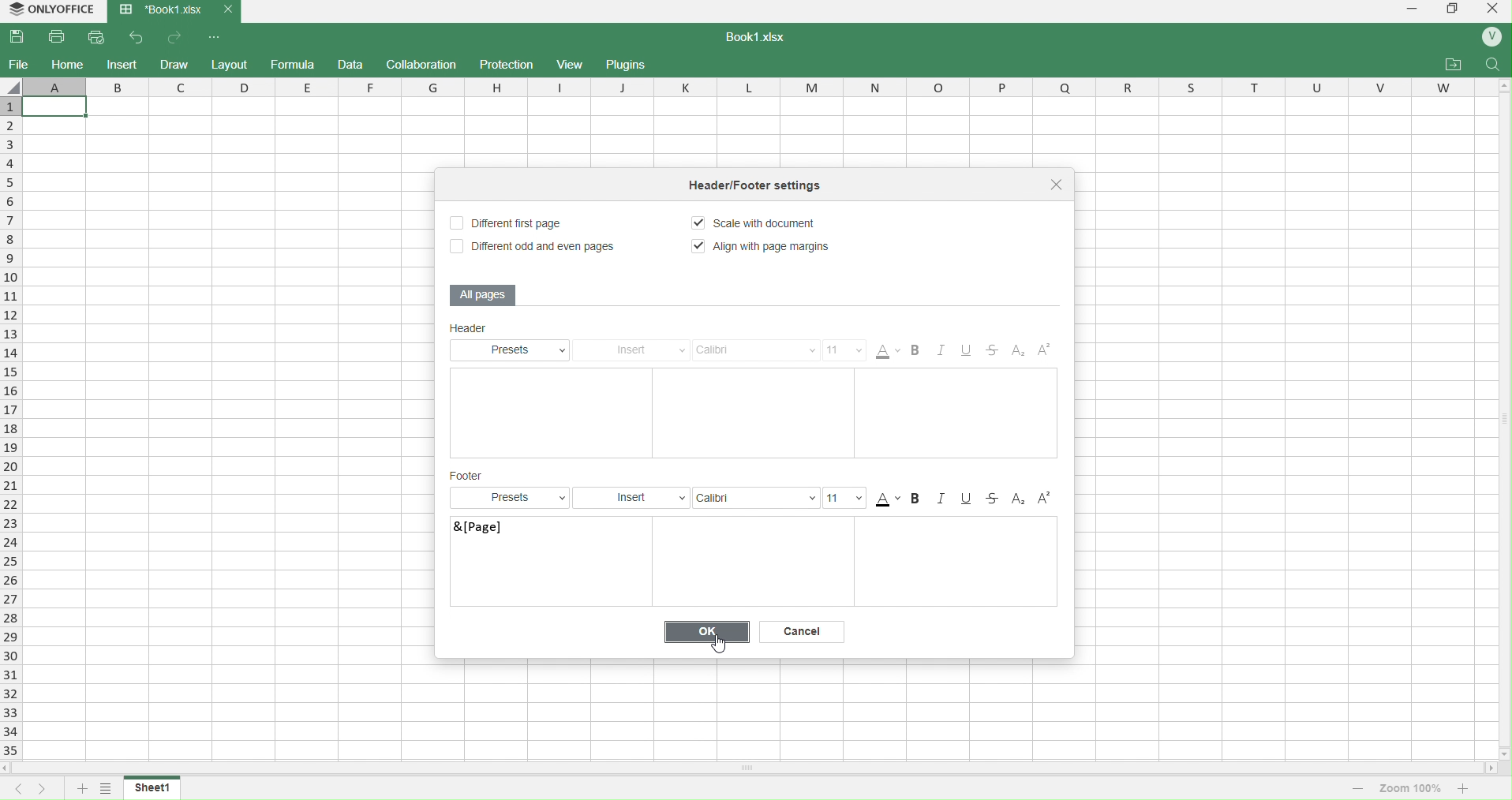  What do you see at coordinates (858, 563) in the screenshot?
I see `Text Boxes` at bounding box center [858, 563].